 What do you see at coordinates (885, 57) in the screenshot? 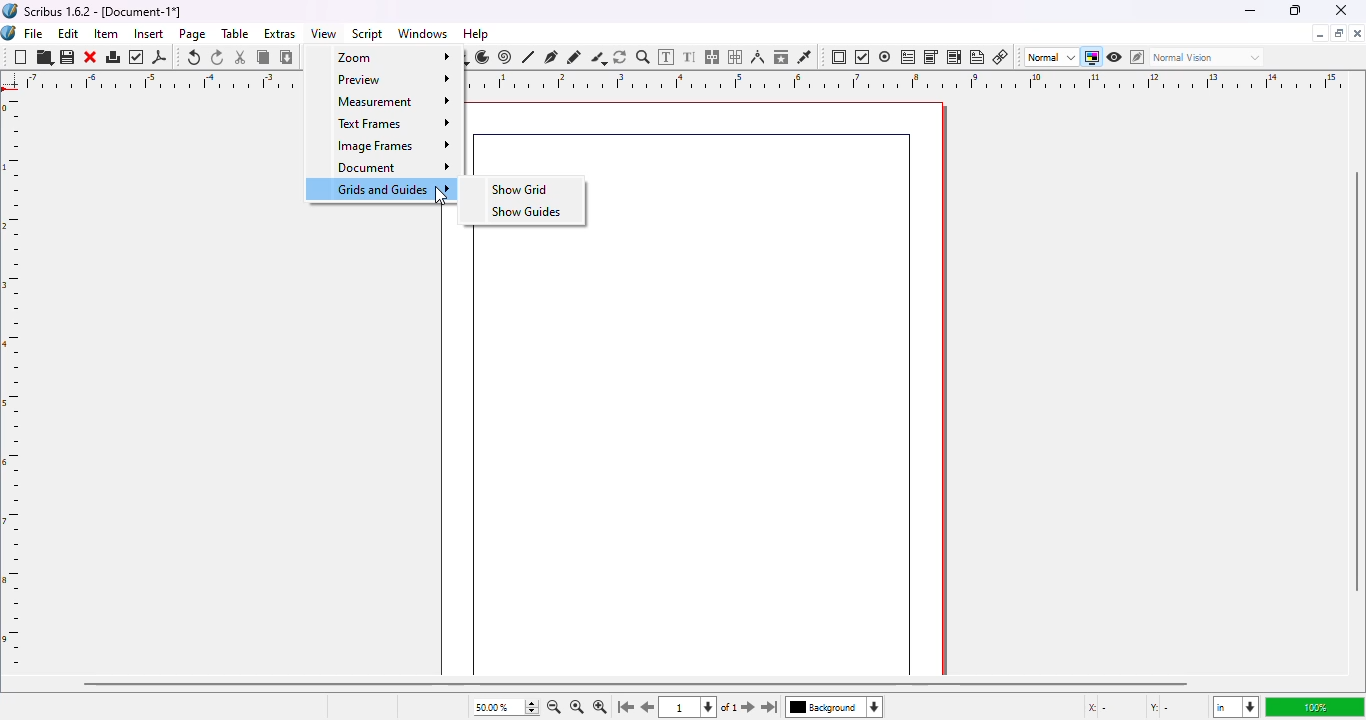
I see `PDF radio button` at bounding box center [885, 57].